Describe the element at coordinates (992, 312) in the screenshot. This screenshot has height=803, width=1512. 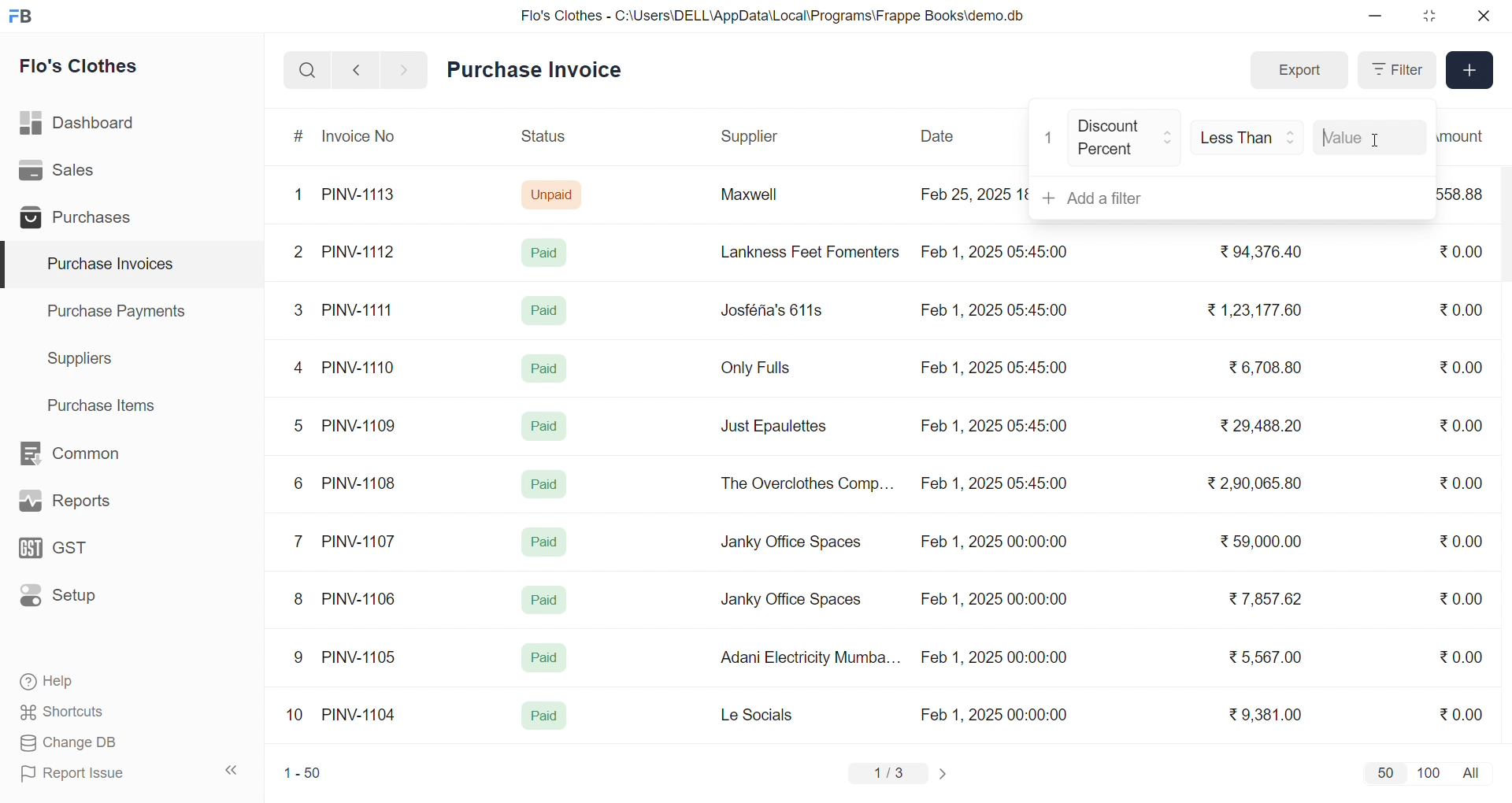
I see `Feb 1, 2025 05:45:00` at that location.